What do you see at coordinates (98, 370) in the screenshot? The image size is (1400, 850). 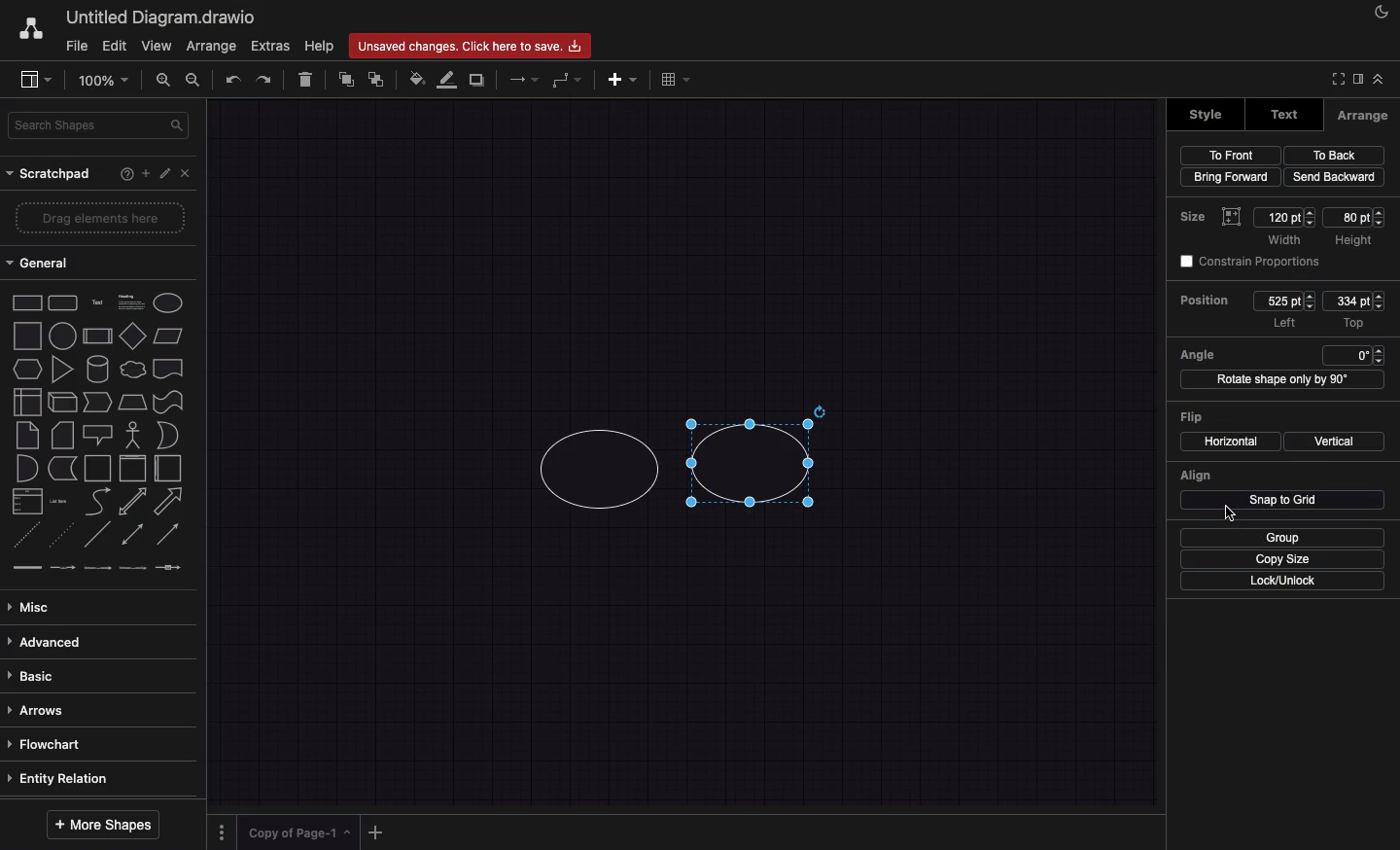 I see `cylinder` at bounding box center [98, 370].